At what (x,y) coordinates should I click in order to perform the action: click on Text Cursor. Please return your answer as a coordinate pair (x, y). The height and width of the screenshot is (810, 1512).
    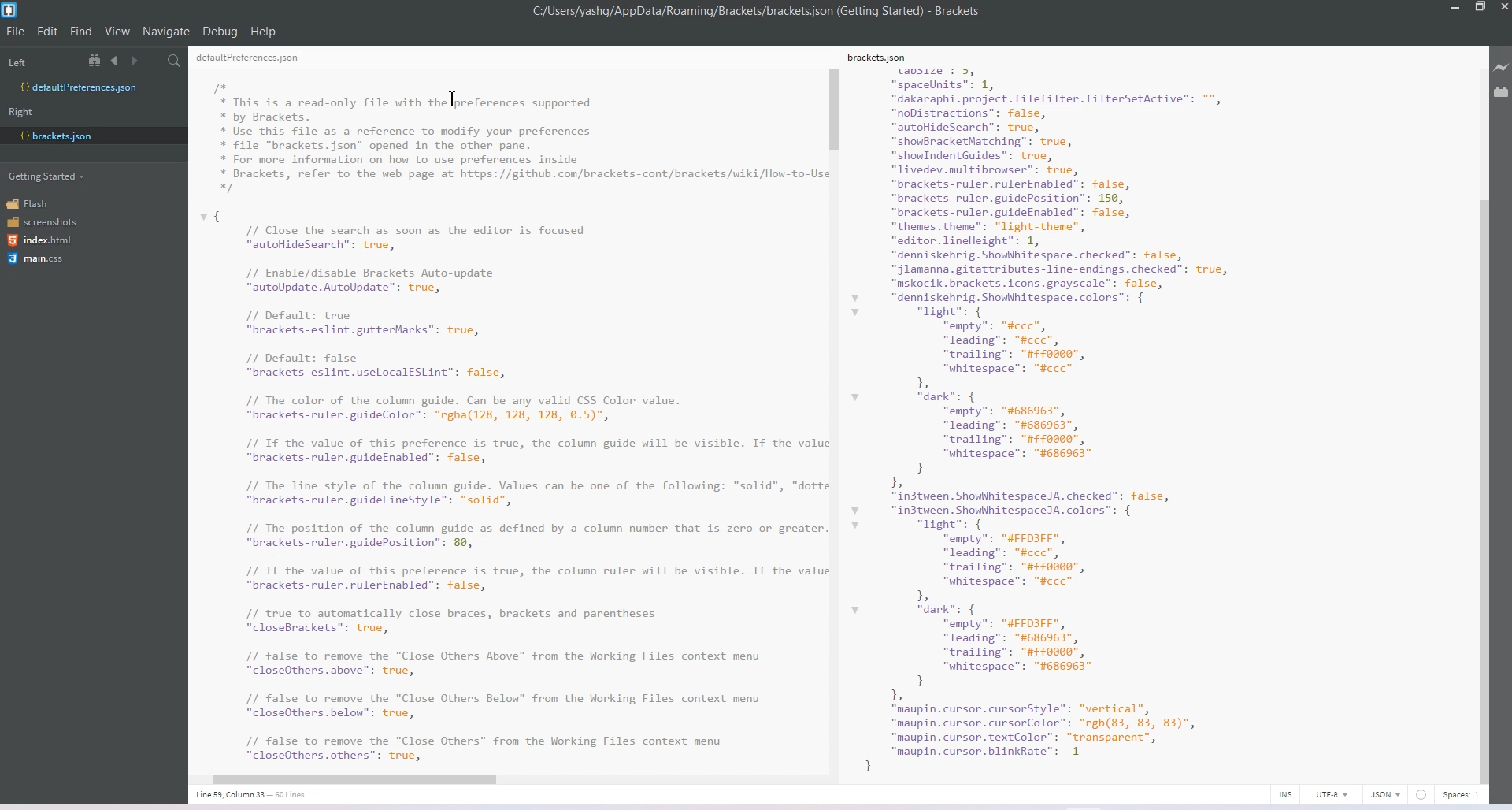
    Looking at the image, I should click on (452, 97).